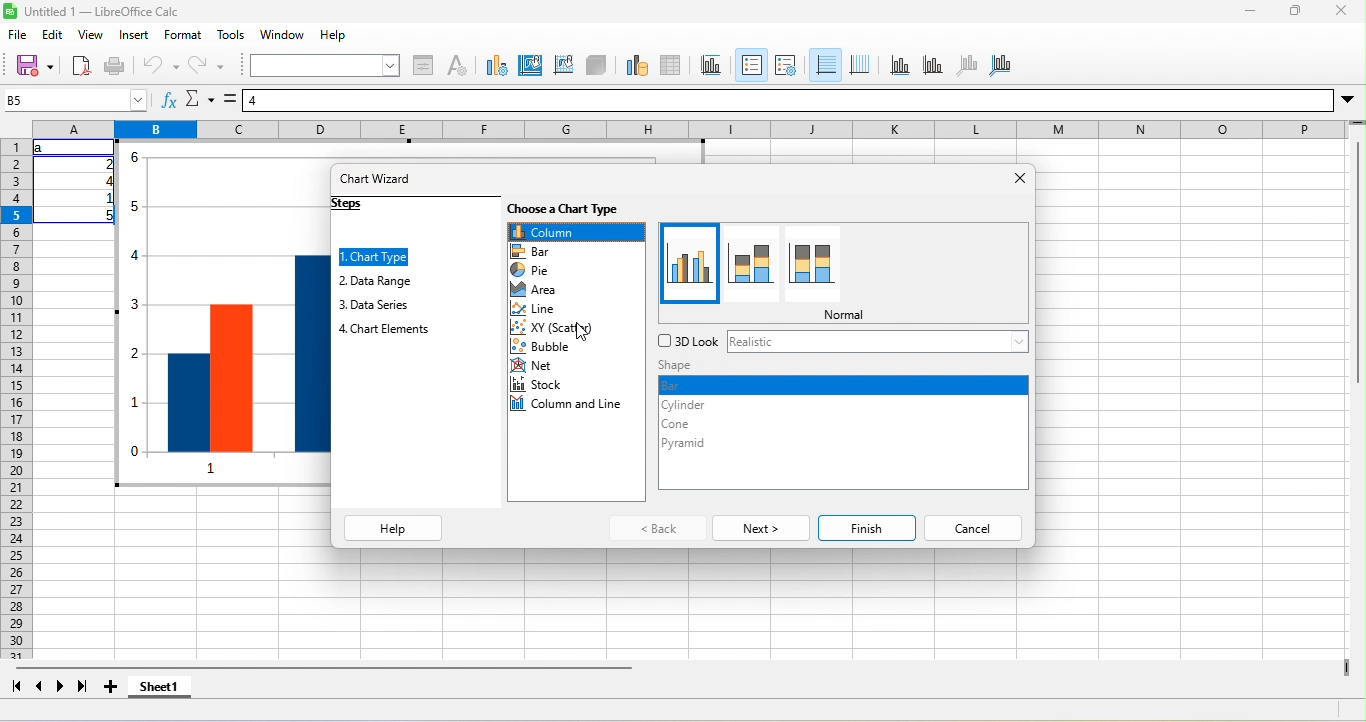 Image resolution: width=1366 pixels, height=722 pixels. What do you see at coordinates (40, 686) in the screenshot?
I see `previous sheet` at bounding box center [40, 686].